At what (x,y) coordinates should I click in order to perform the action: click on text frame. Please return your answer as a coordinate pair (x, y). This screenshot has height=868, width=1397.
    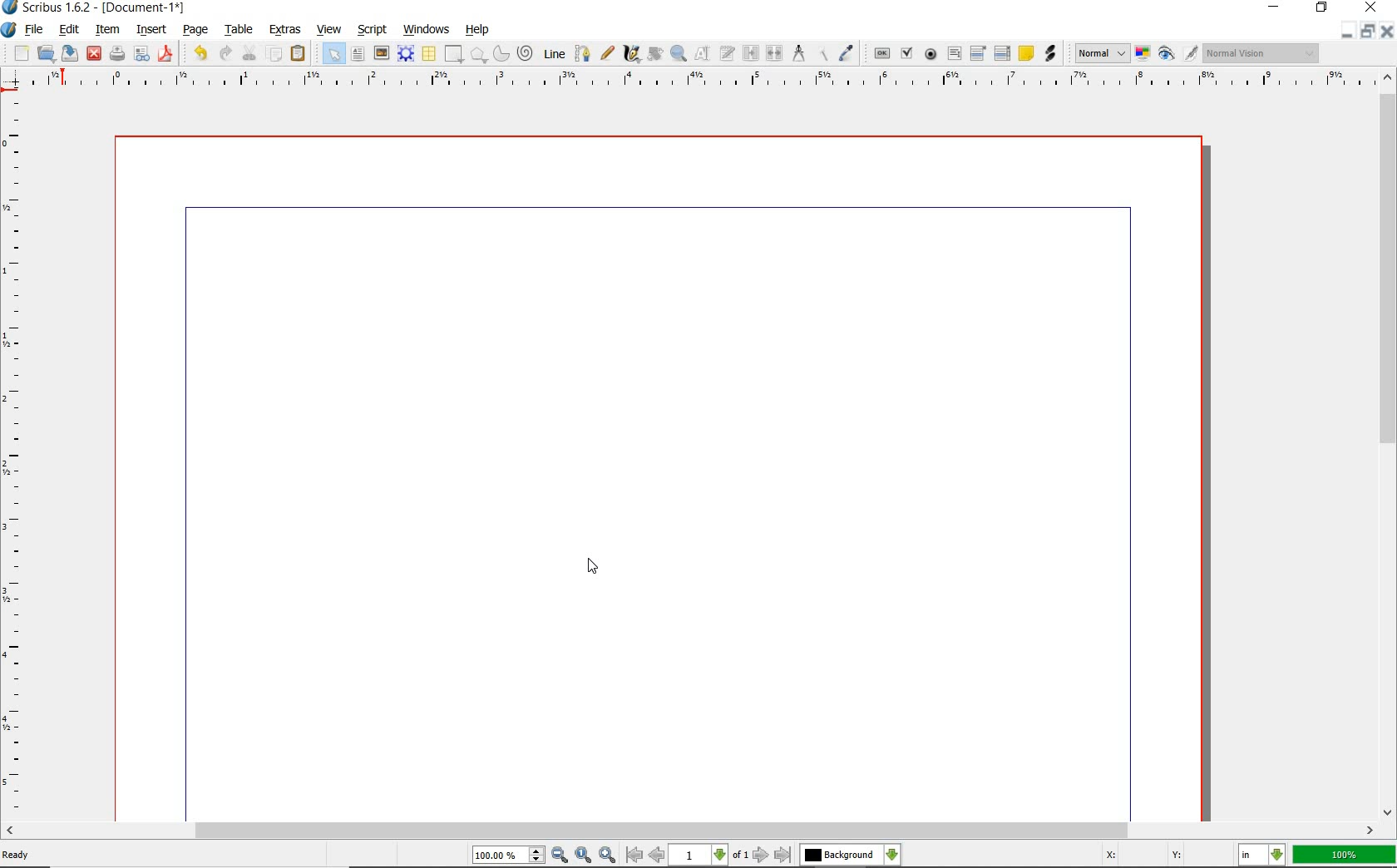
    Looking at the image, I should click on (358, 54).